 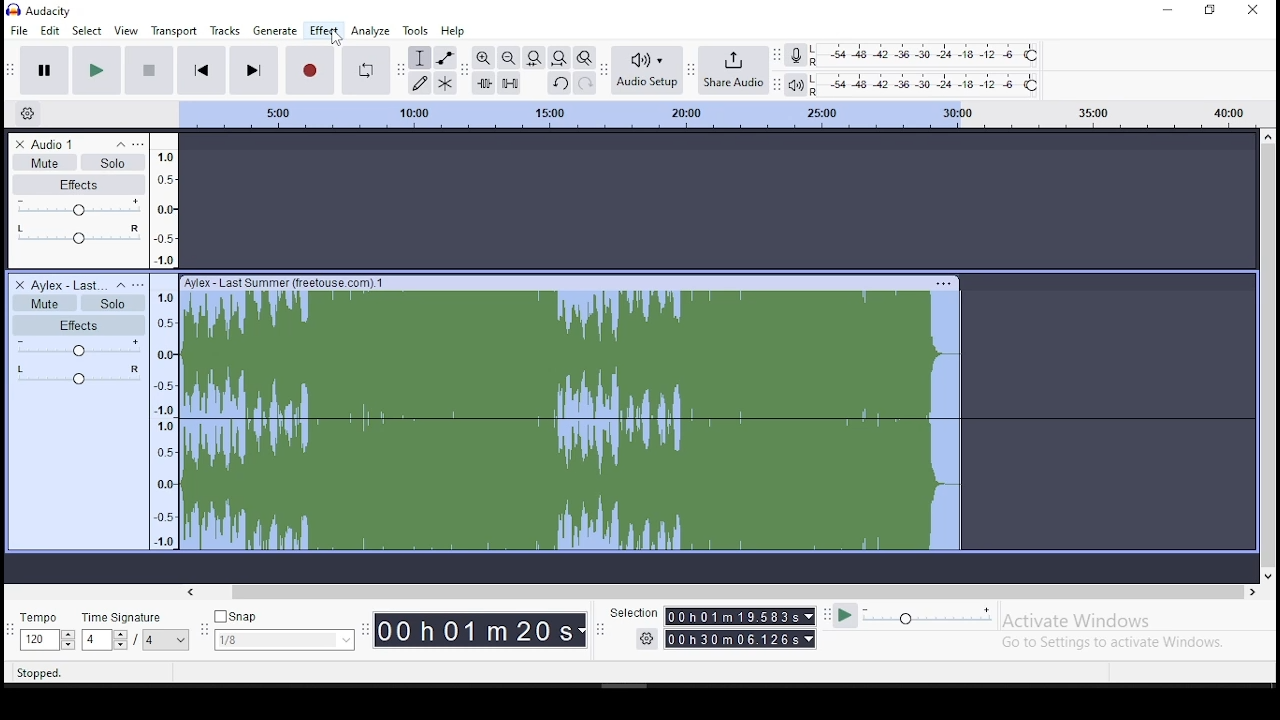 What do you see at coordinates (650, 70) in the screenshot?
I see `audio setup` at bounding box center [650, 70].